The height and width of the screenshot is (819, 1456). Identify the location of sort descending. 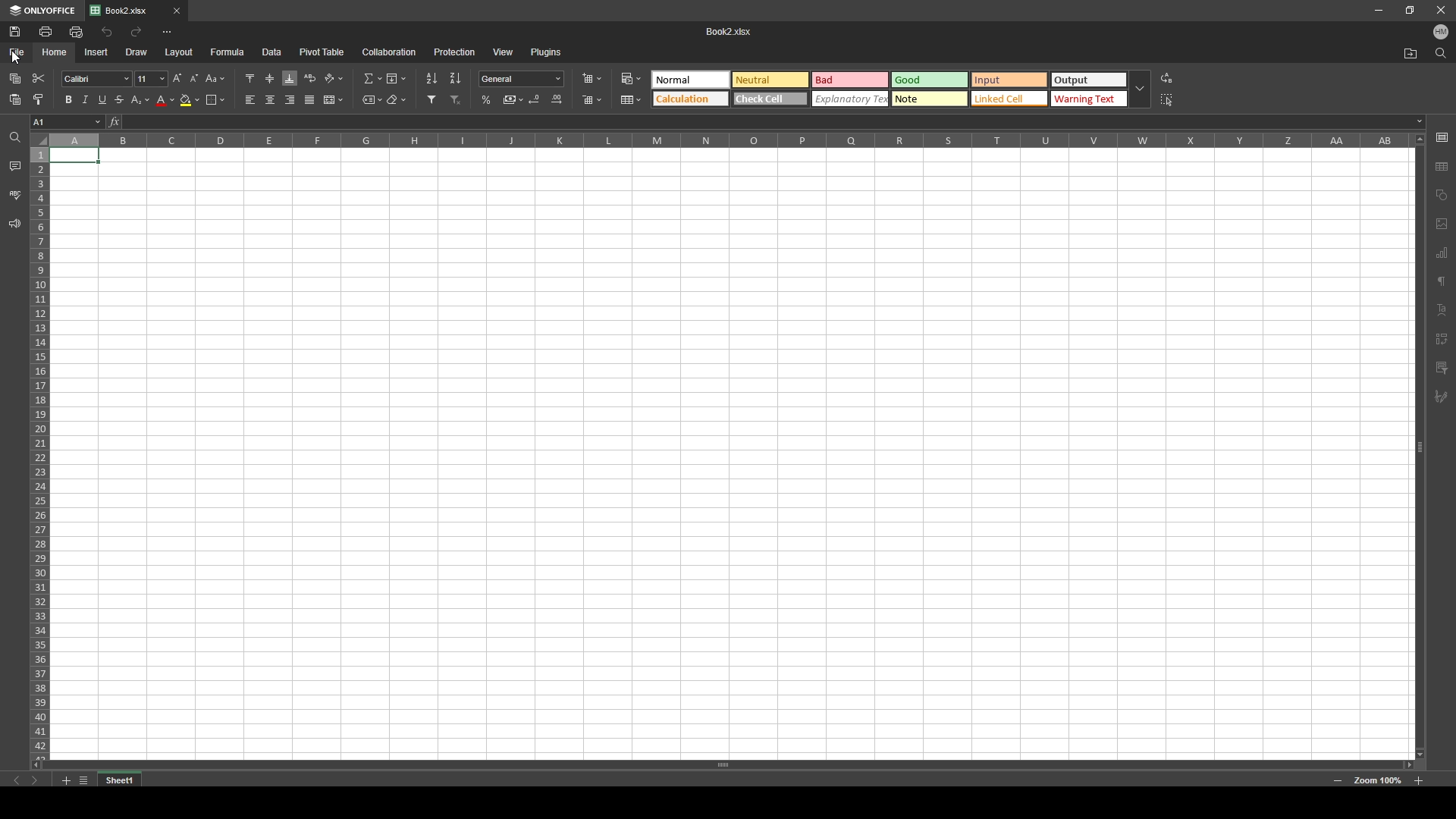
(456, 78).